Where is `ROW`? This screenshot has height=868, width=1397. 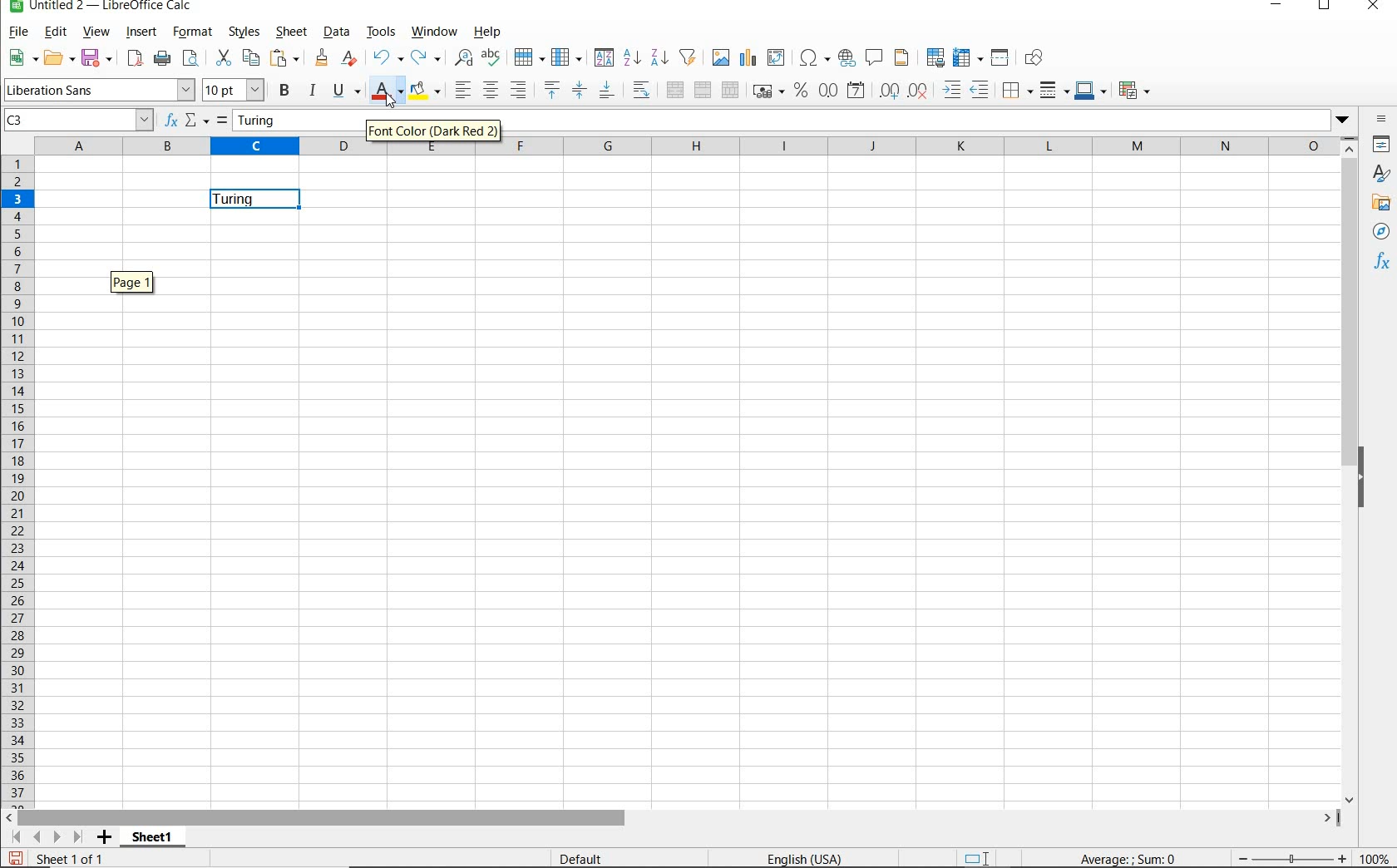 ROW is located at coordinates (527, 57).